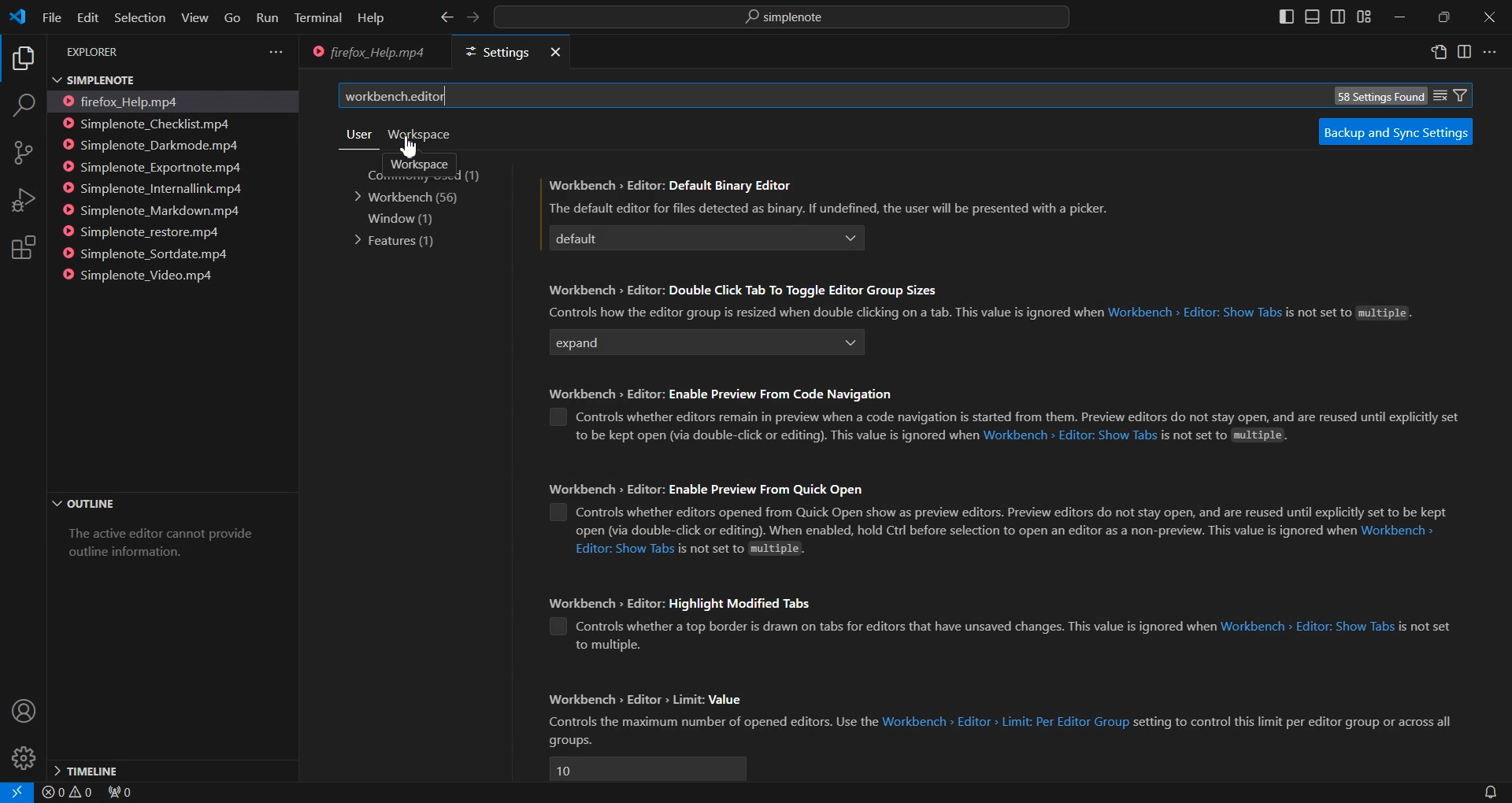 This screenshot has width=1512, height=803. What do you see at coordinates (735, 391) in the screenshot?
I see `Workbench > Editor: Enable Preview From Code Navigation` at bounding box center [735, 391].